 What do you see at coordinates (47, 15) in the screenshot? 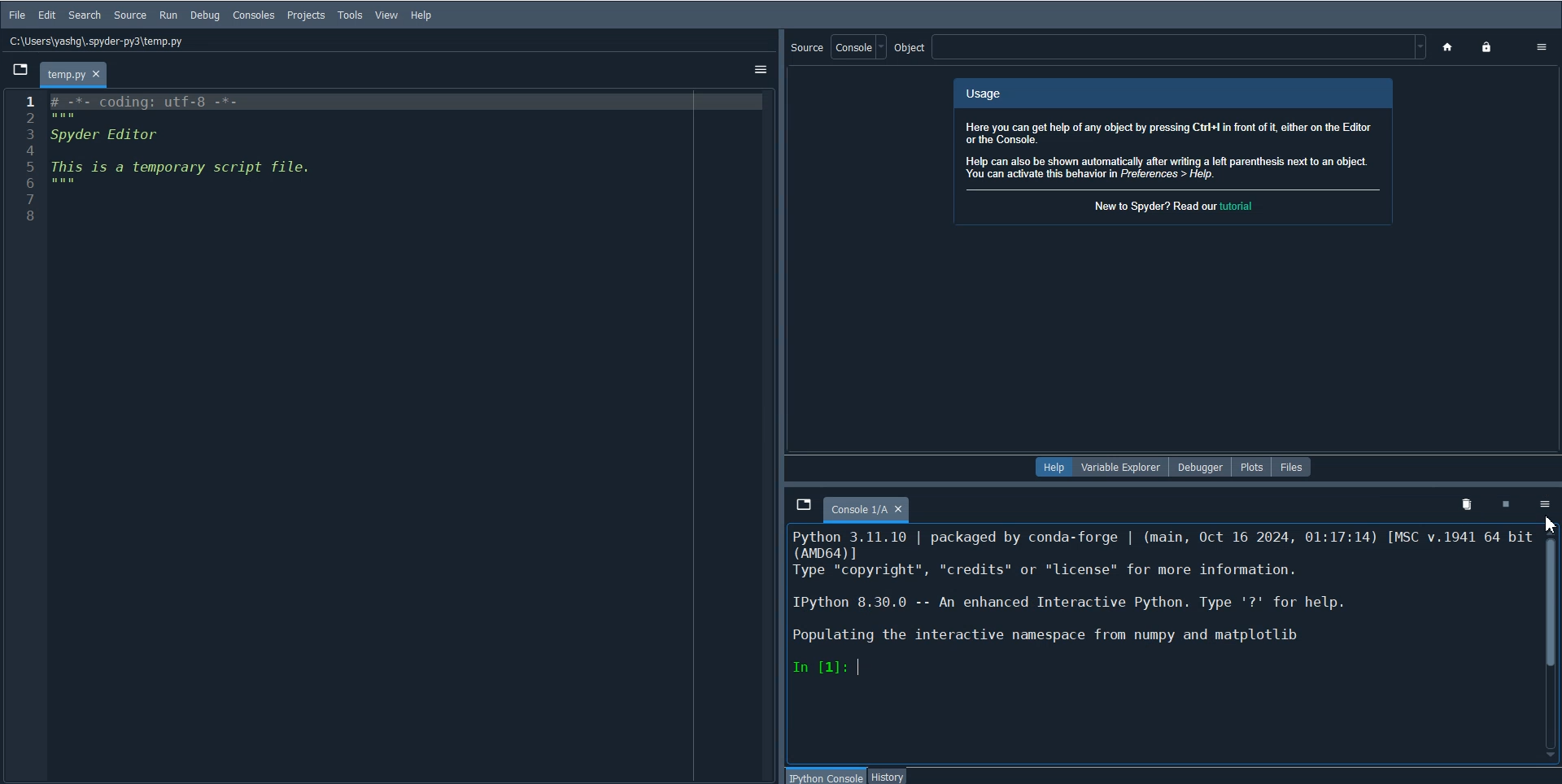
I see `Edit` at bounding box center [47, 15].